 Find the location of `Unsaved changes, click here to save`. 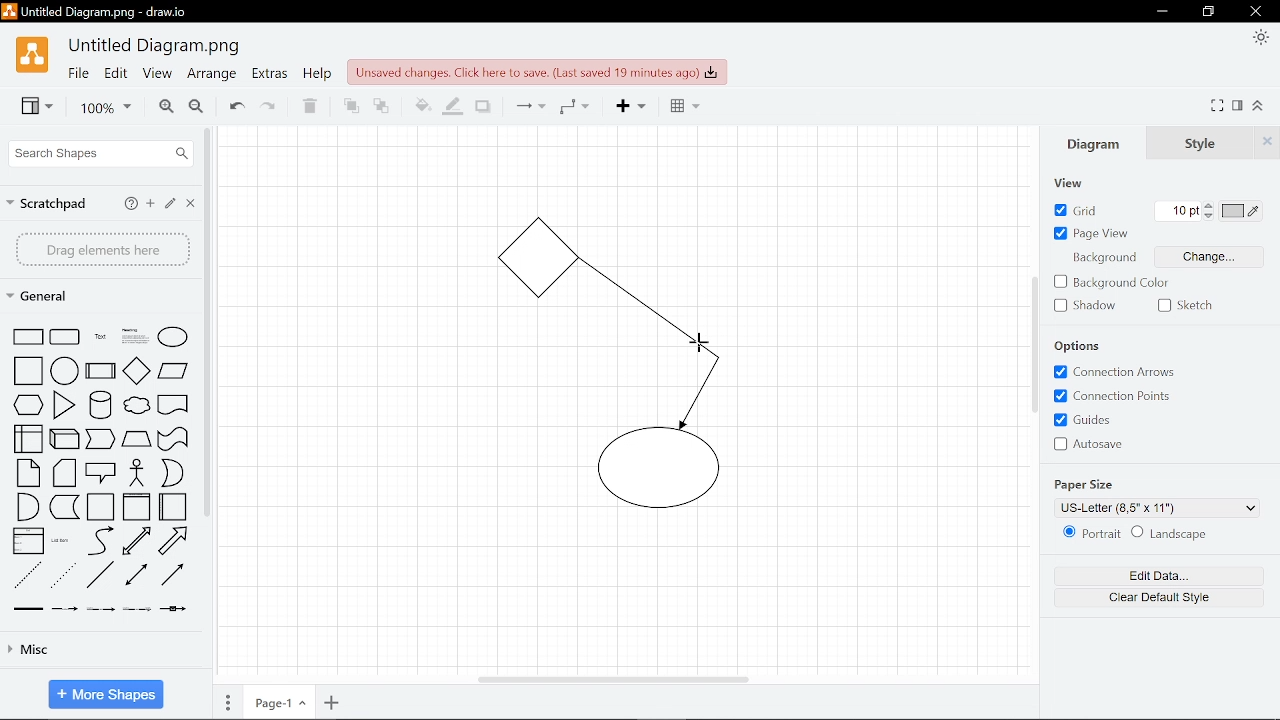

Unsaved changes, click here to save is located at coordinates (537, 71).